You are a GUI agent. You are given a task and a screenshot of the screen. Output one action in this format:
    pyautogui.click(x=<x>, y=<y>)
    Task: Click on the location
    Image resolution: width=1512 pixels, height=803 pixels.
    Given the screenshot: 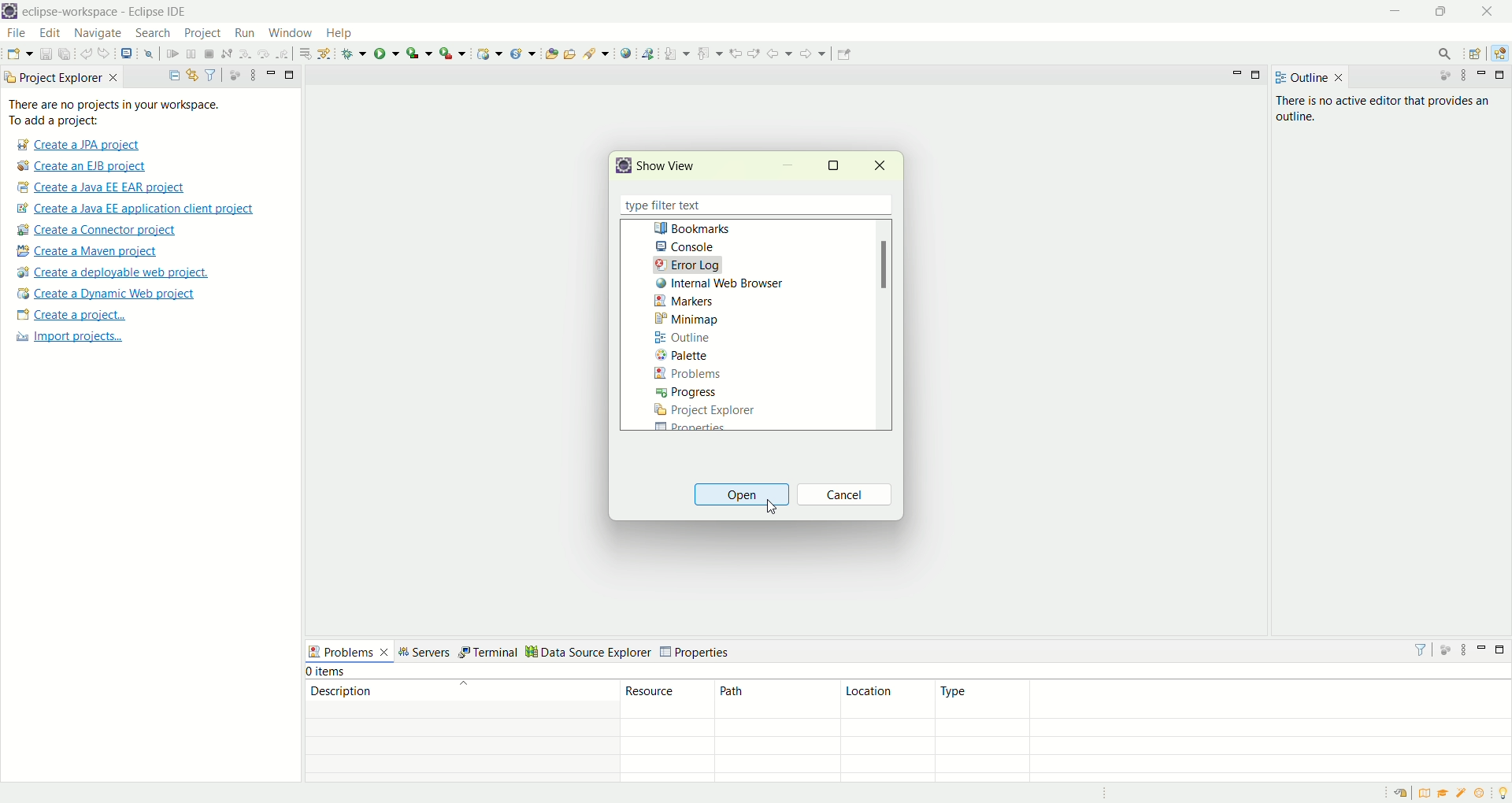 What is the action you would take?
    pyautogui.click(x=888, y=698)
    